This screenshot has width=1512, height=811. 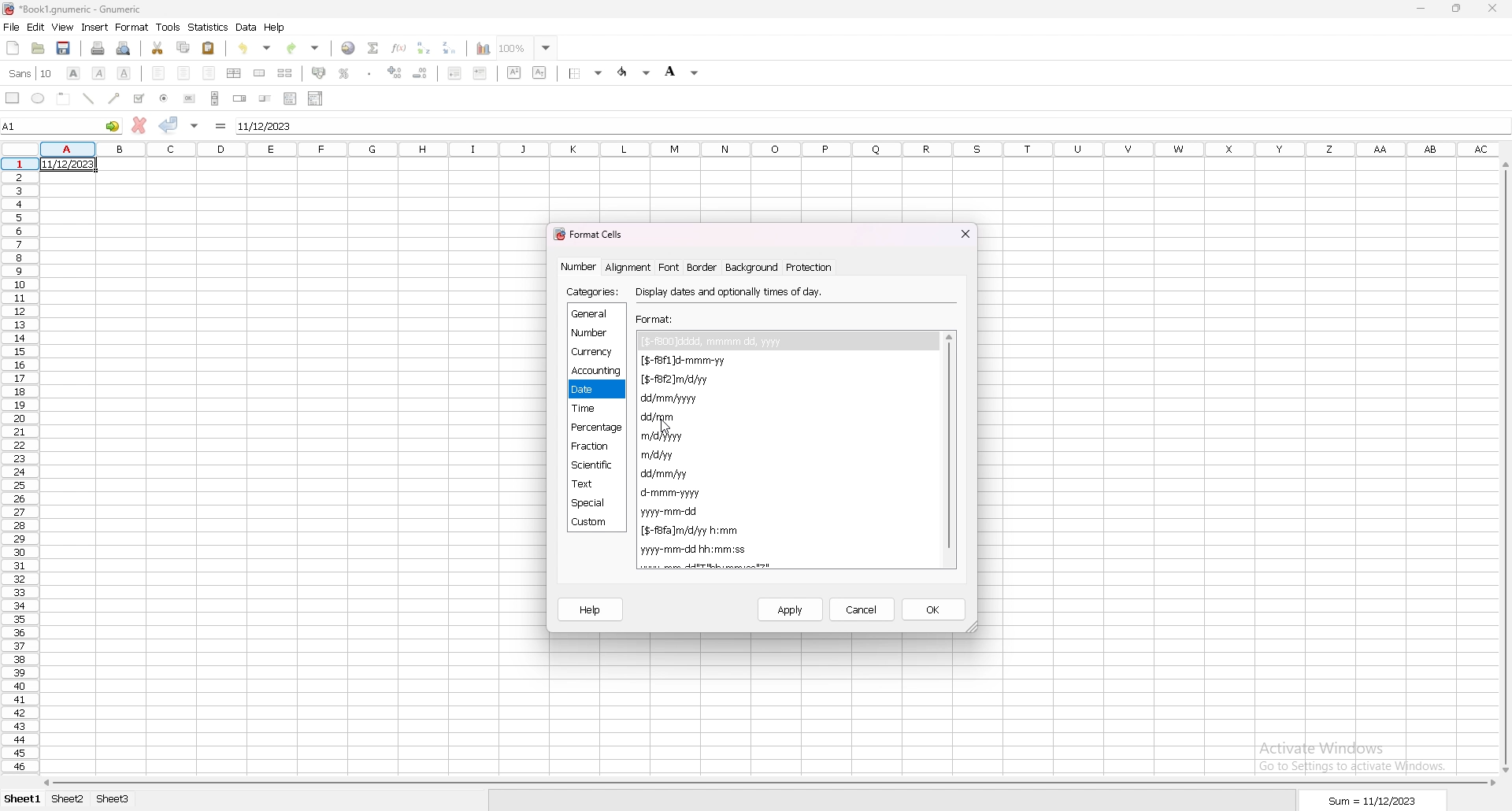 I want to click on line, so click(x=87, y=98).